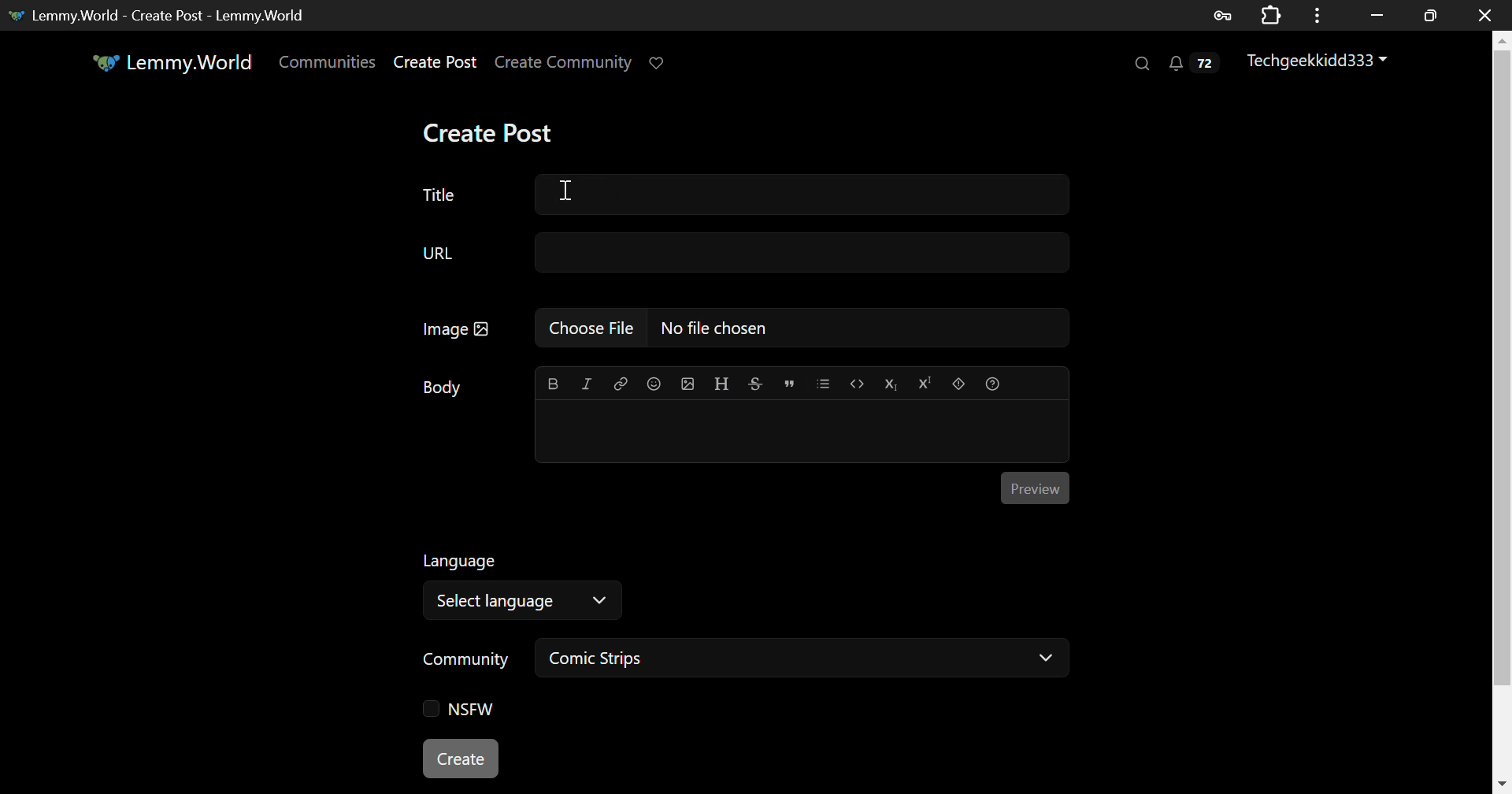 This screenshot has height=794, width=1512. Describe the element at coordinates (552, 385) in the screenshot. I see `Bold` at that location.